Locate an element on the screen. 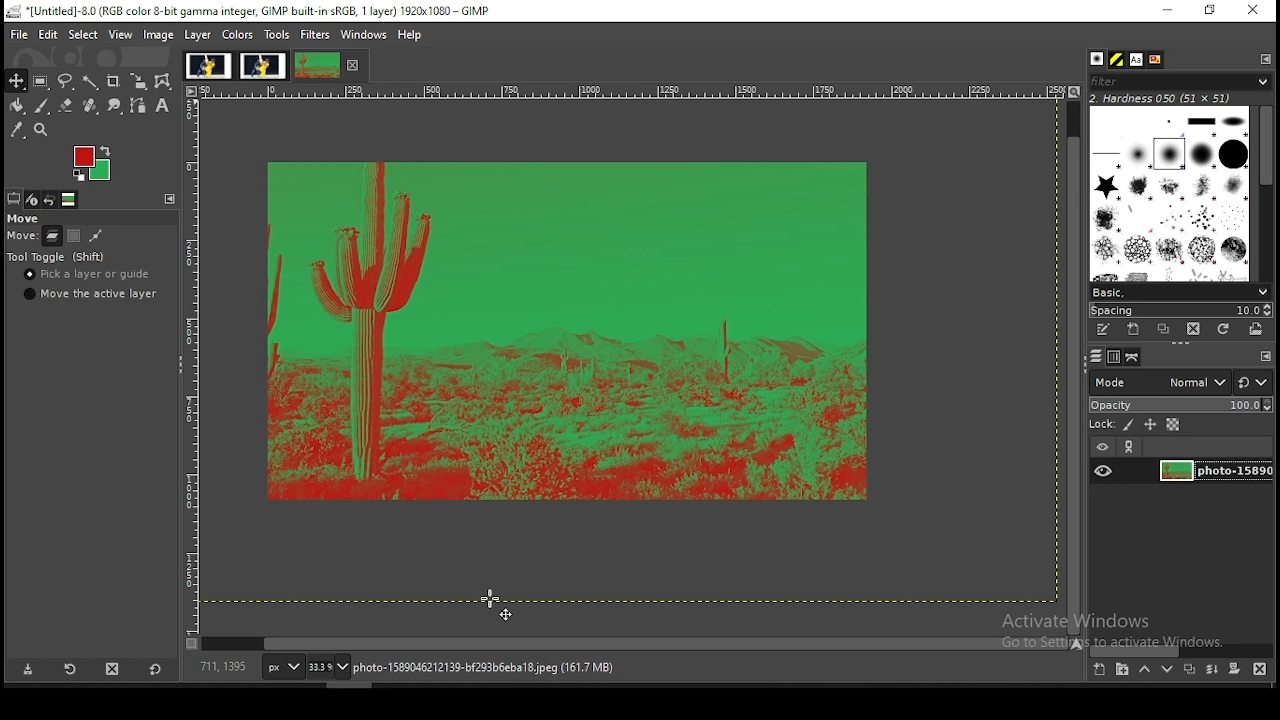 Image resolution: width=1280 pixels, height=720 pixels. new layer is located at coordinates (1101, 671).